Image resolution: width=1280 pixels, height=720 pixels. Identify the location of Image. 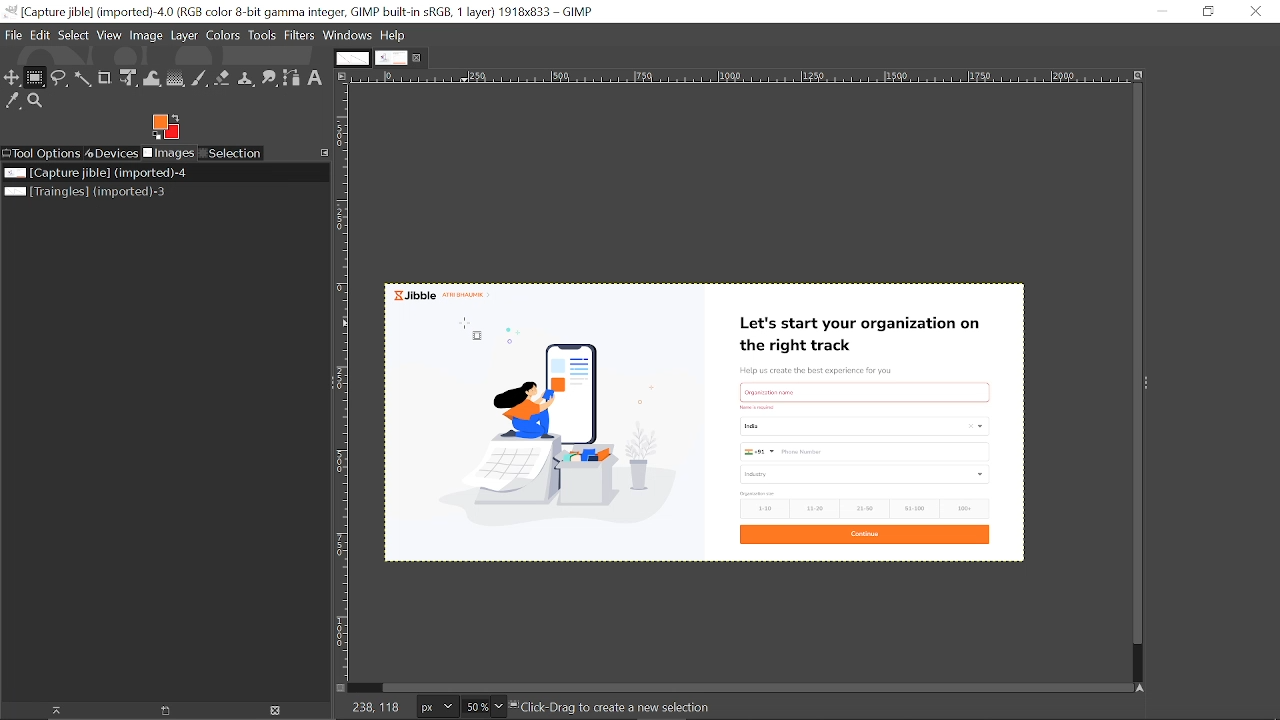
(147, 36).